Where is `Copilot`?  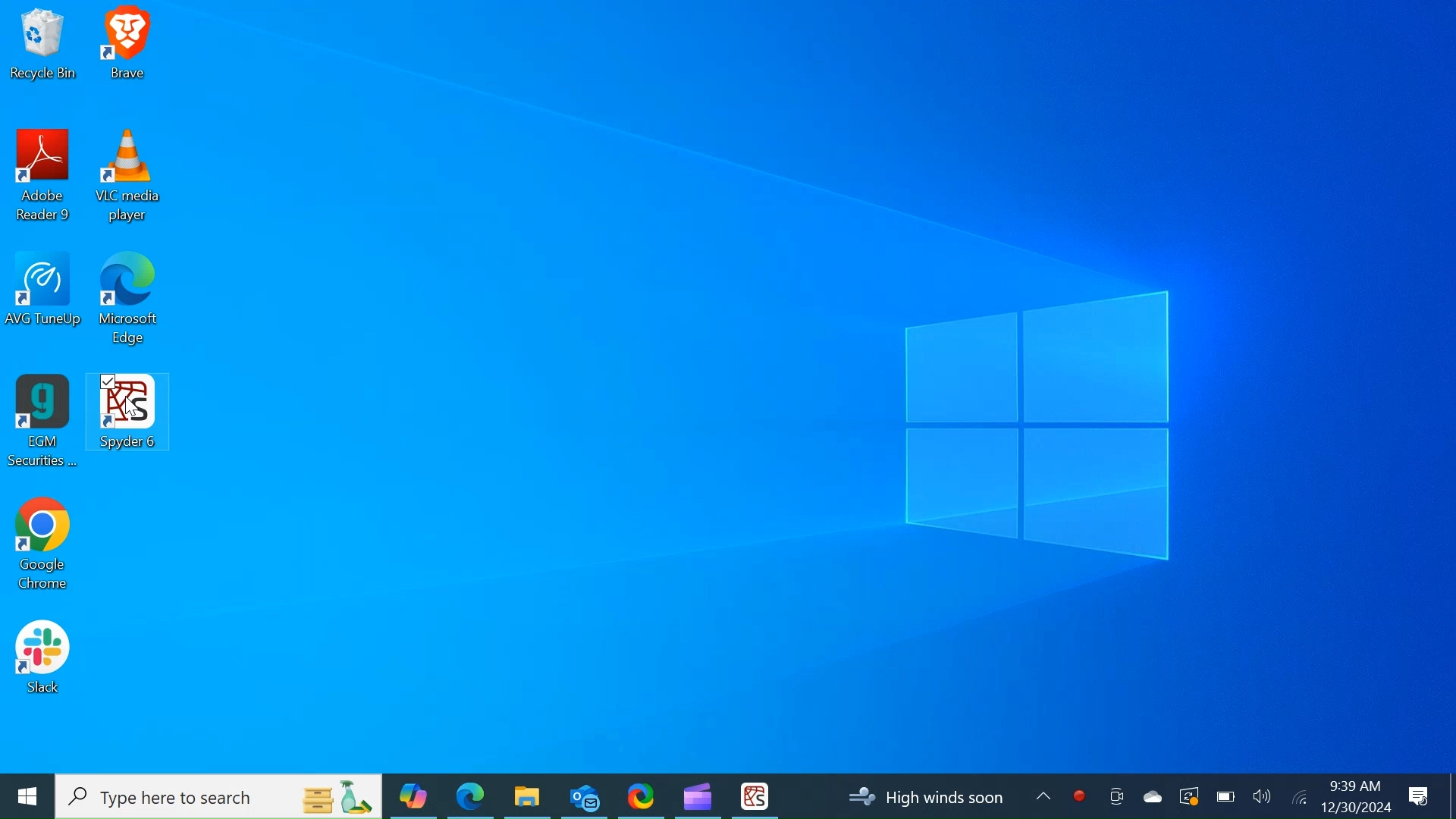 Copilot is located at coordinates (413, 795).